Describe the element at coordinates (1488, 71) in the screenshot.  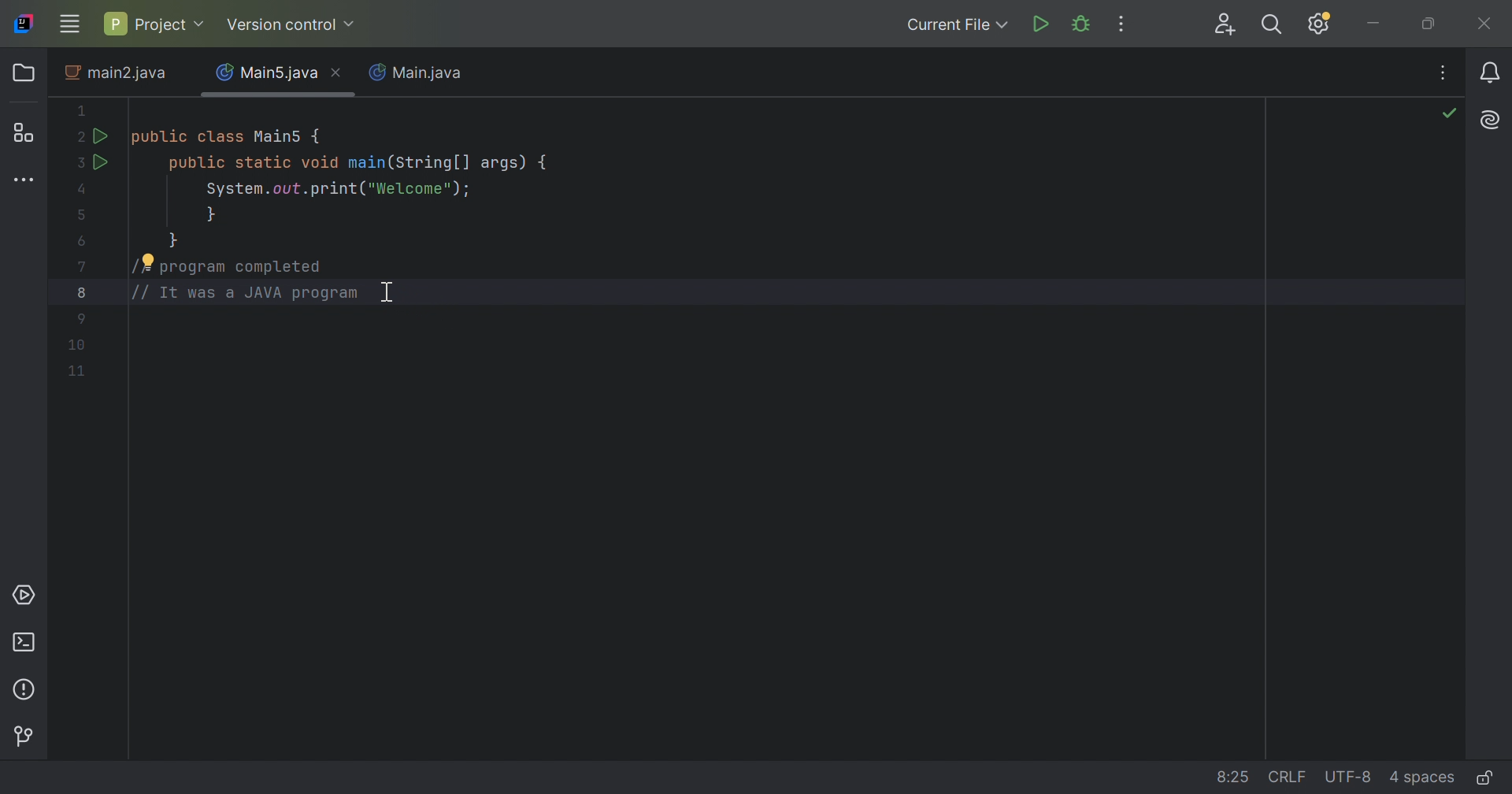
I see `Notifications` at that location.